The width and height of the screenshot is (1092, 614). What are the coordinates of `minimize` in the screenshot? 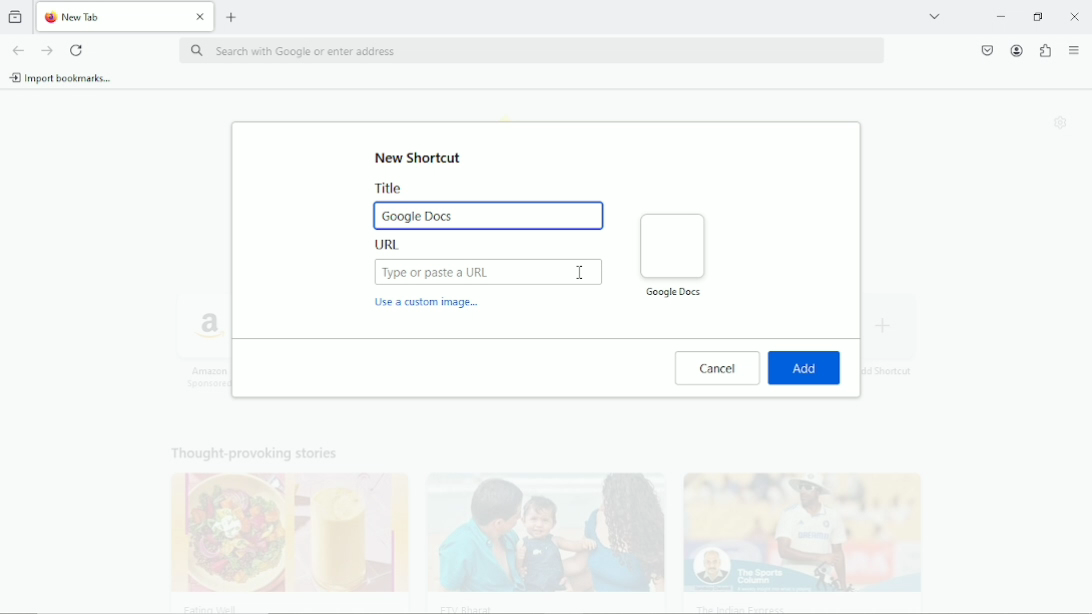 It's located at (999, 17).